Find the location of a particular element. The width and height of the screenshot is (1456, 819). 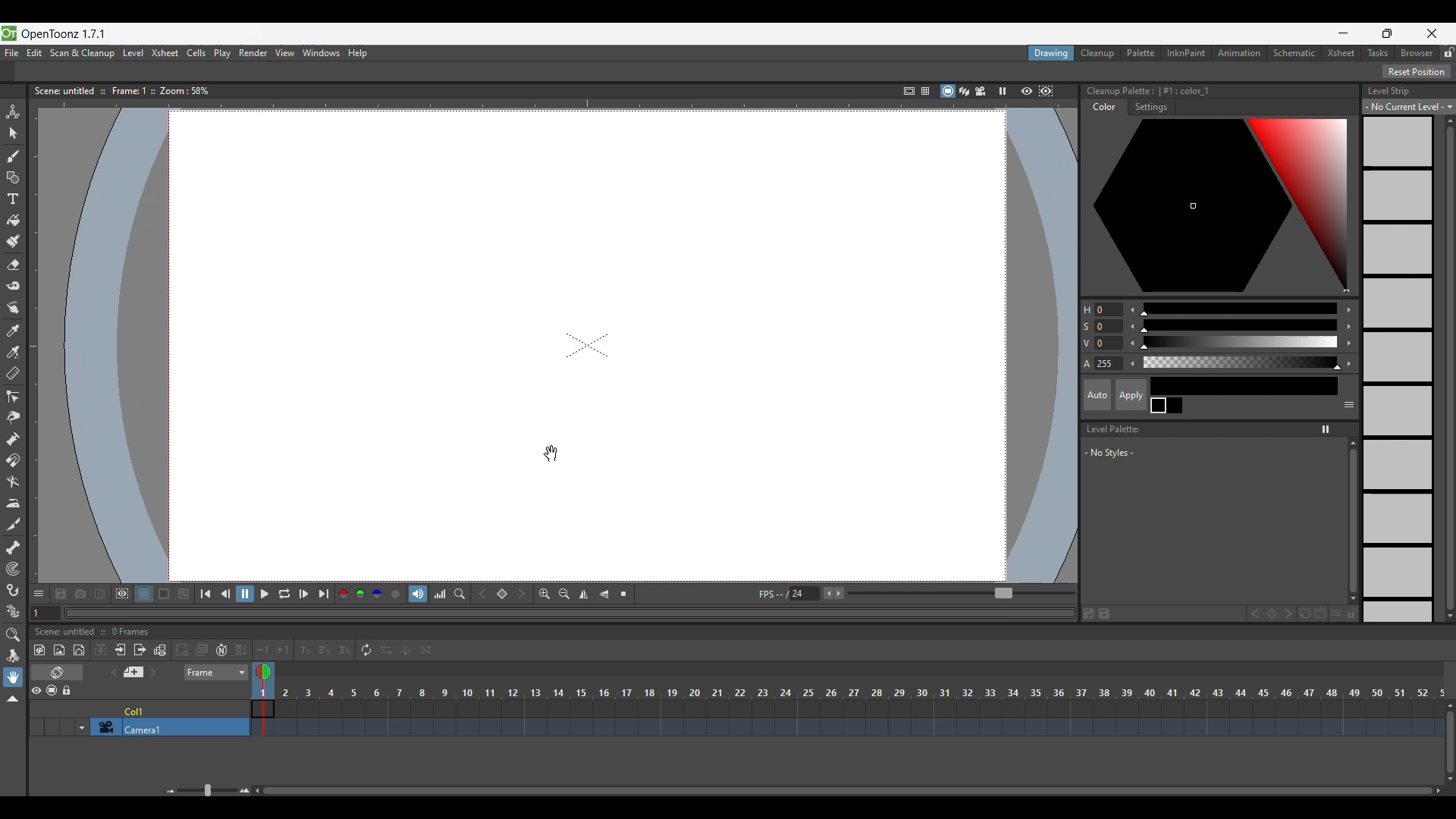

Reframe on 3's is located at coordinates (344, 650).